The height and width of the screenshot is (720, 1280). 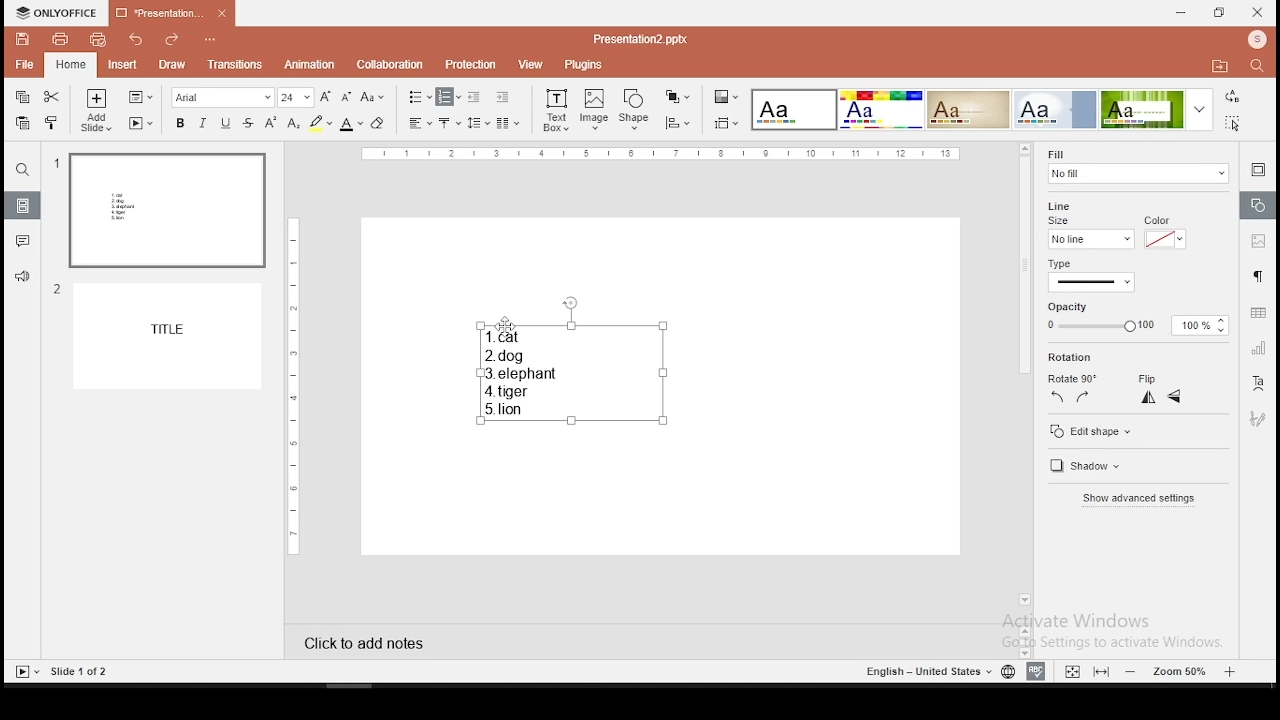 I want to click on support and feedback, so click(x=23, y=278).